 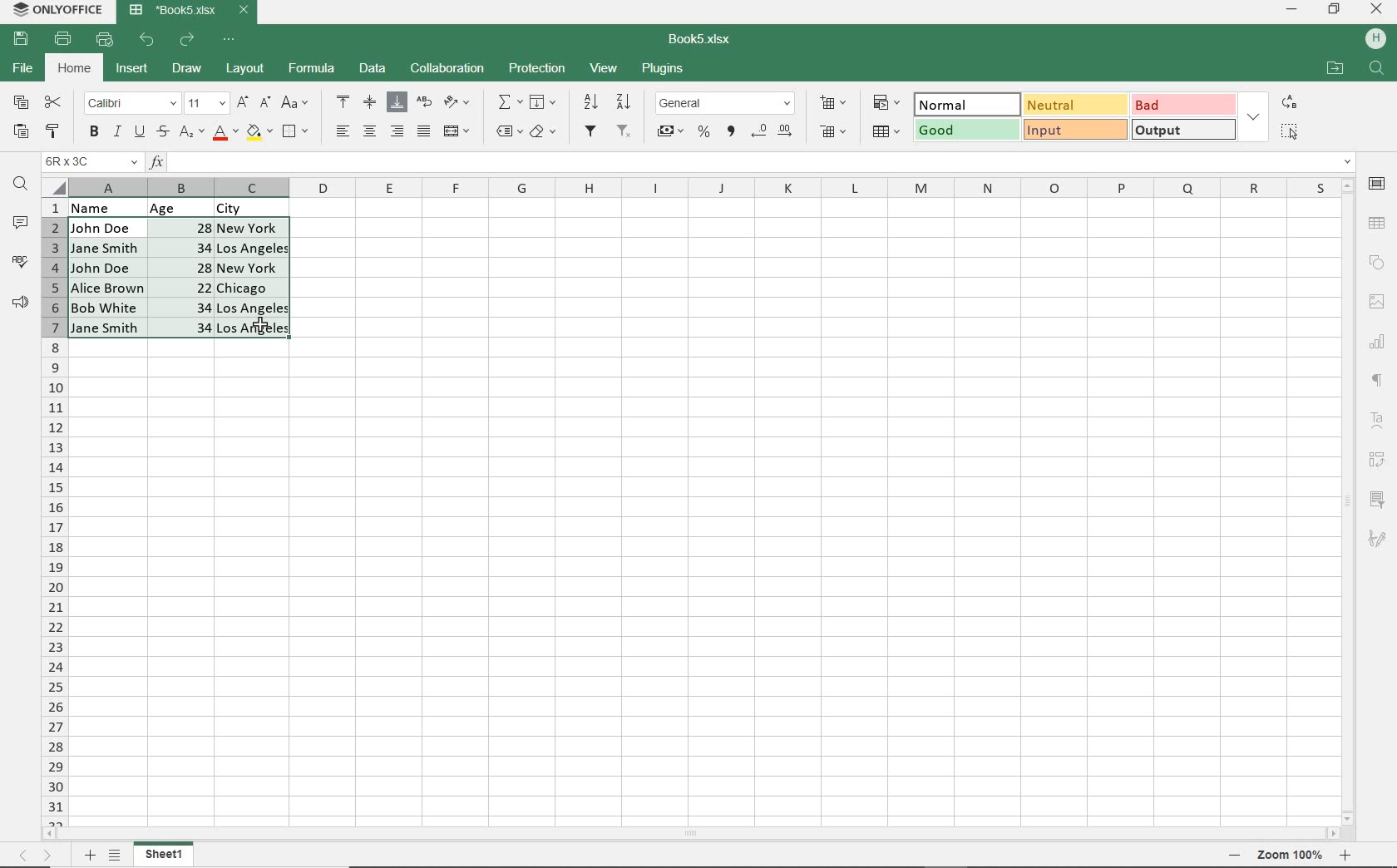 What do you see at coordinates (23, 223) in the screenshot?
I see `COMMENTS` at bounding box center [23, 223].